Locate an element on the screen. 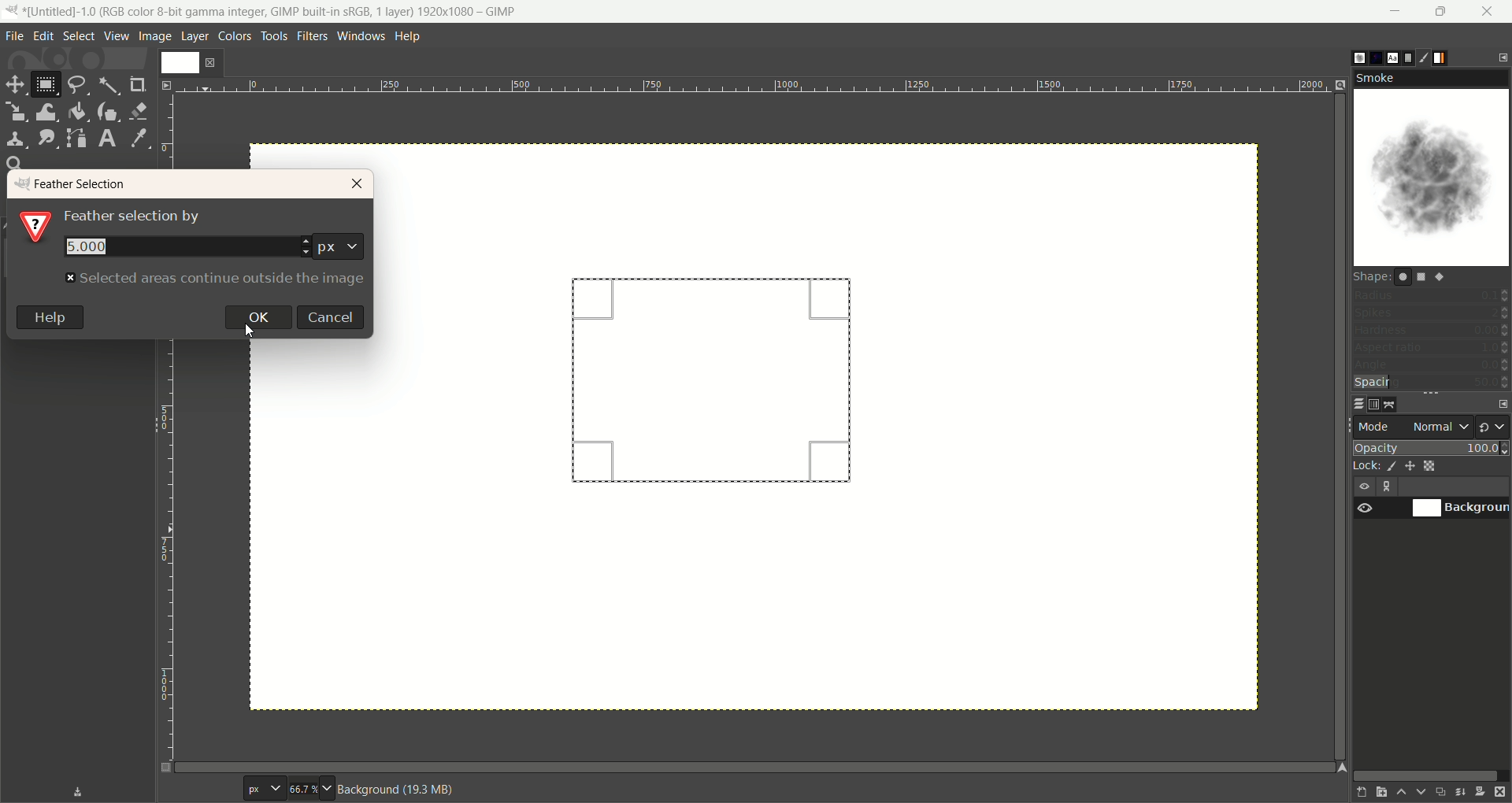  spikes is located at coordinates (1431, 314).